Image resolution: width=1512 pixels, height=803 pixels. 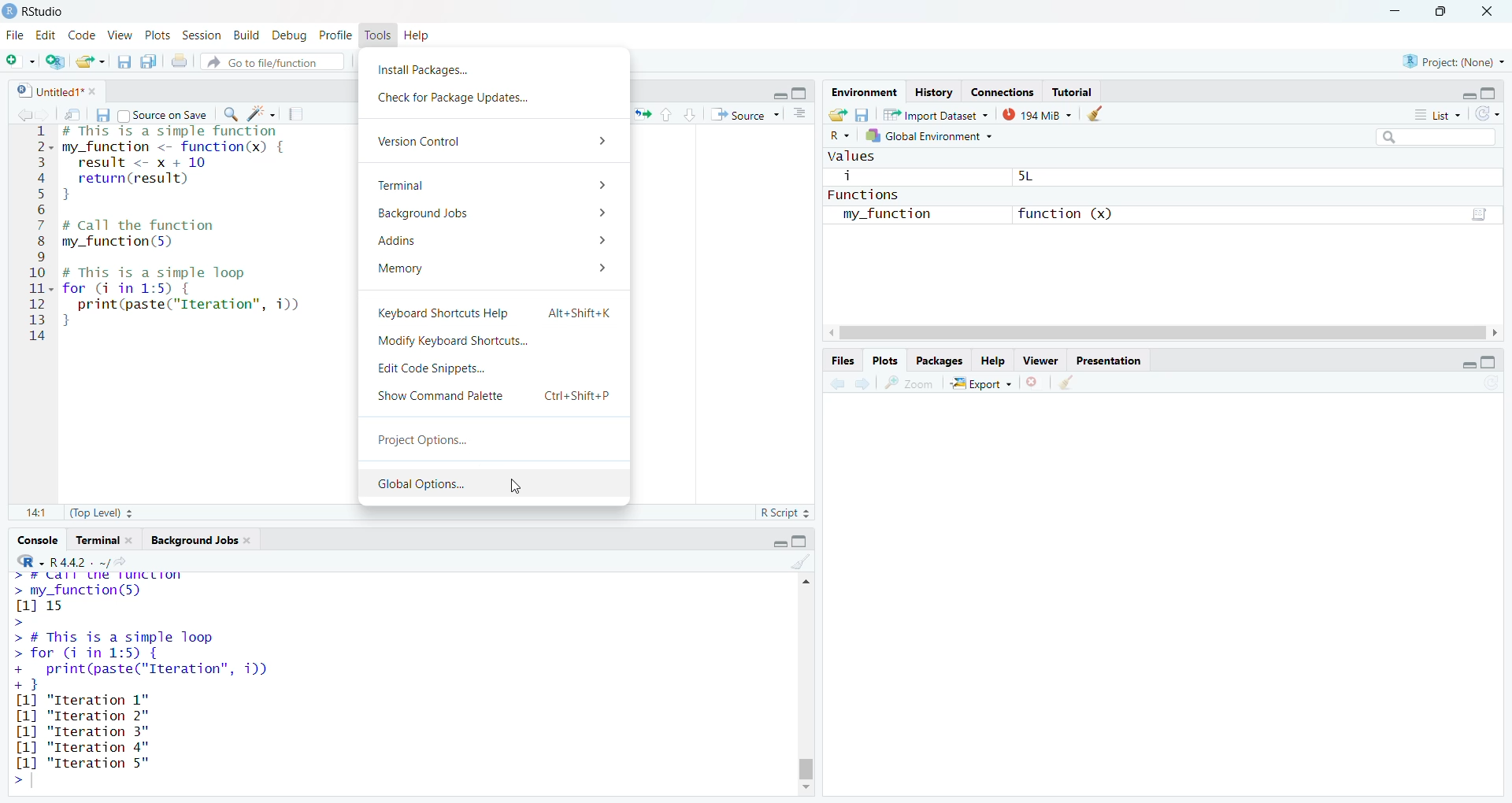 I want to click on project: (None), so click(x=1455, y=62).